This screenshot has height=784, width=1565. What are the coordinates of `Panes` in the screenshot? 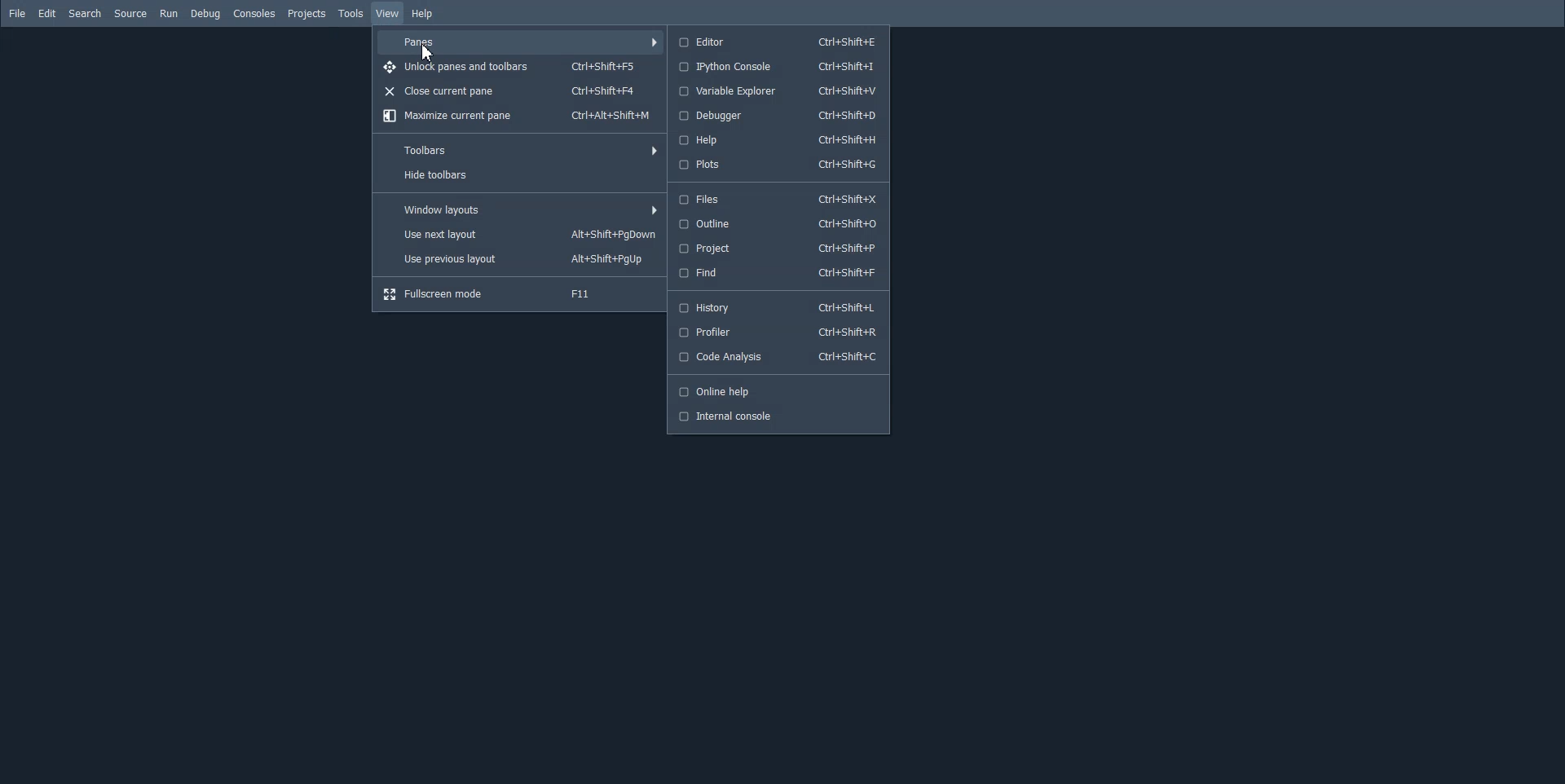 It's located at (519, 41).